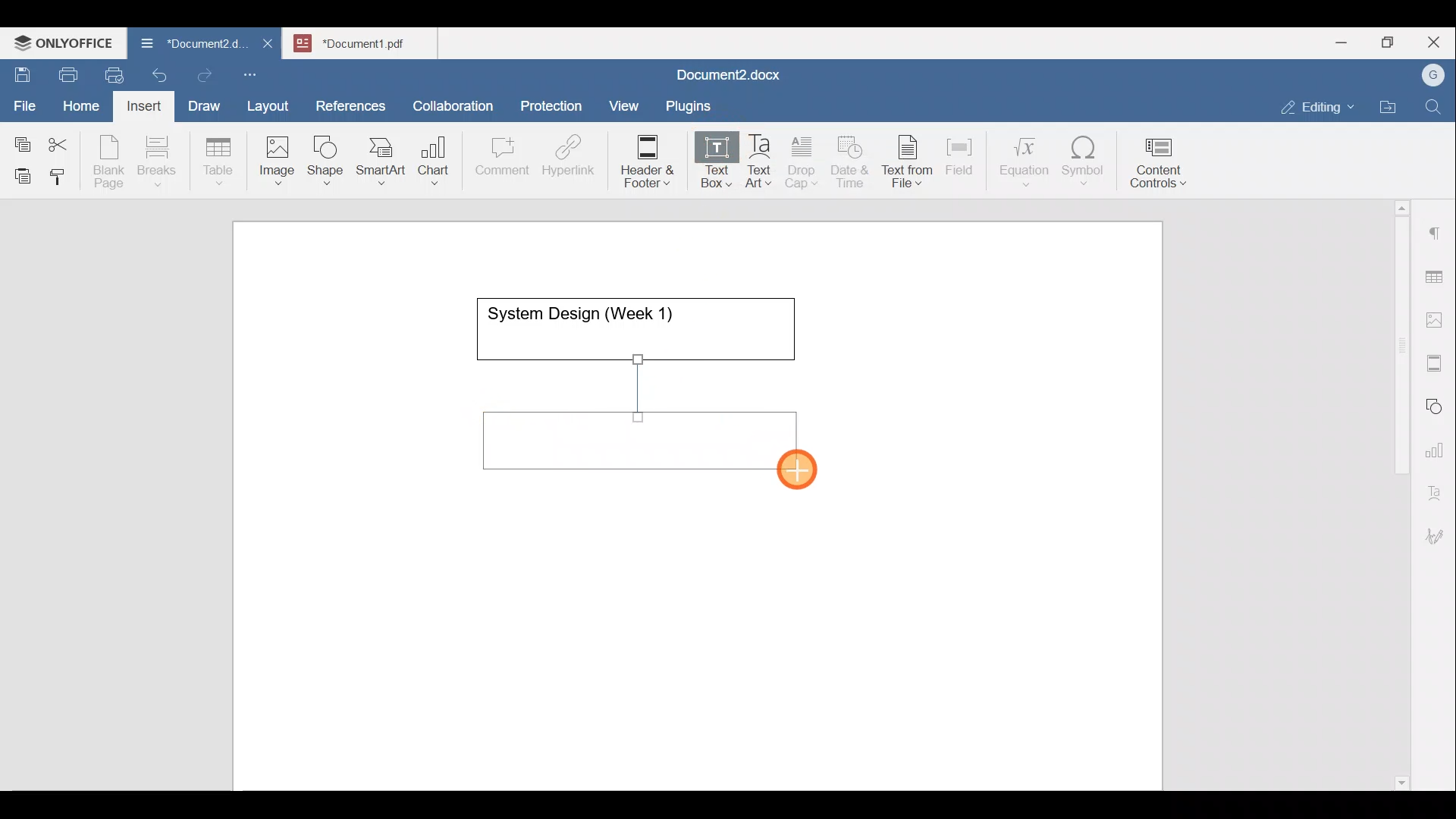  I want to click on SmartArt, so click(378, 158).